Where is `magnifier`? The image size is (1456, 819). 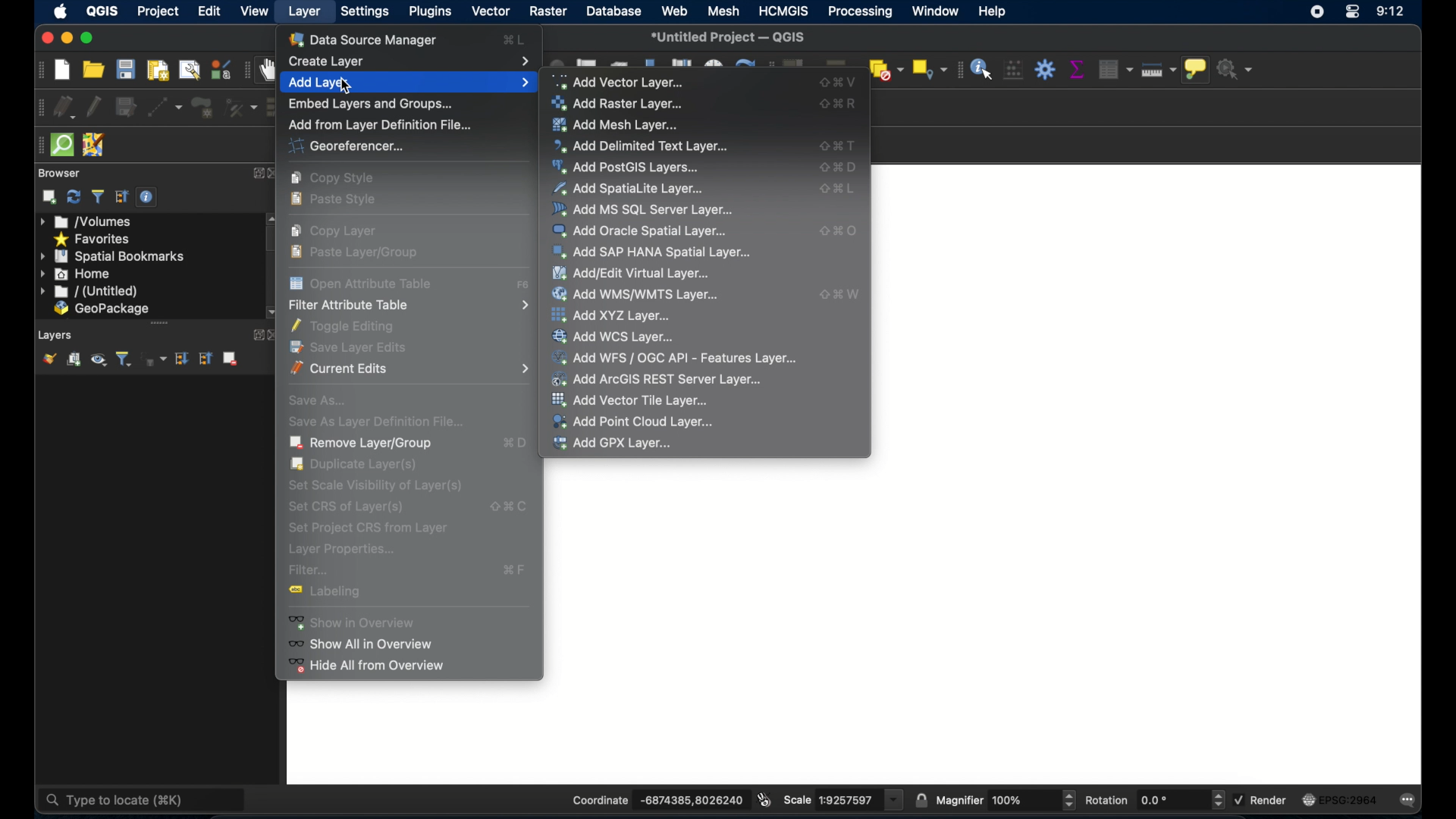
magnifier is located at coordinates (1007, 798).